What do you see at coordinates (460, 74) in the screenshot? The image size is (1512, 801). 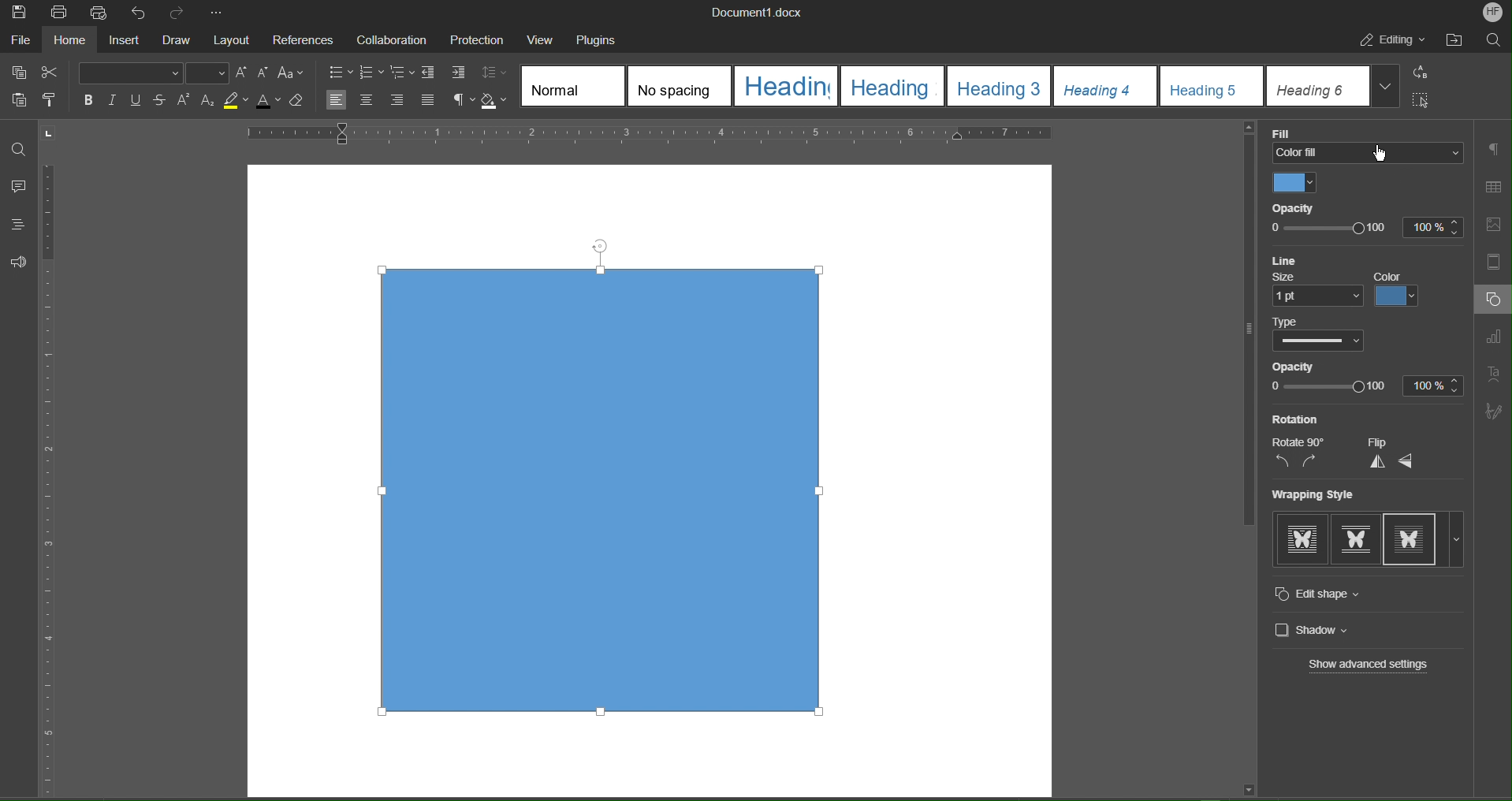 I see `Increase Indent` at bounding box center [460, 74].